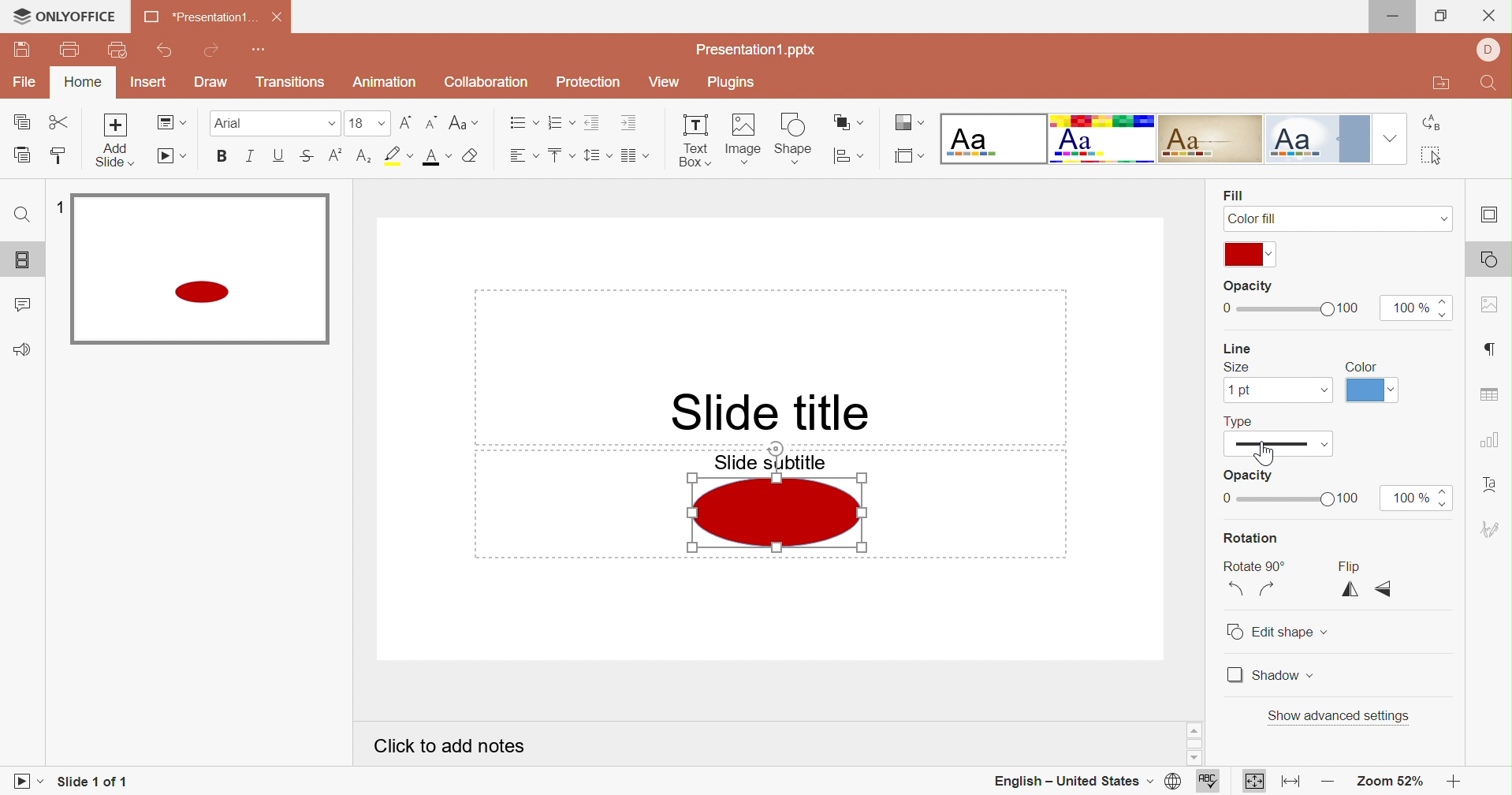 Image resolution: width=1512 pixels, height=795 pixels. Describe the element at coordinates (429, 123) in the screenshot. I see `Decrement font size` at that location.